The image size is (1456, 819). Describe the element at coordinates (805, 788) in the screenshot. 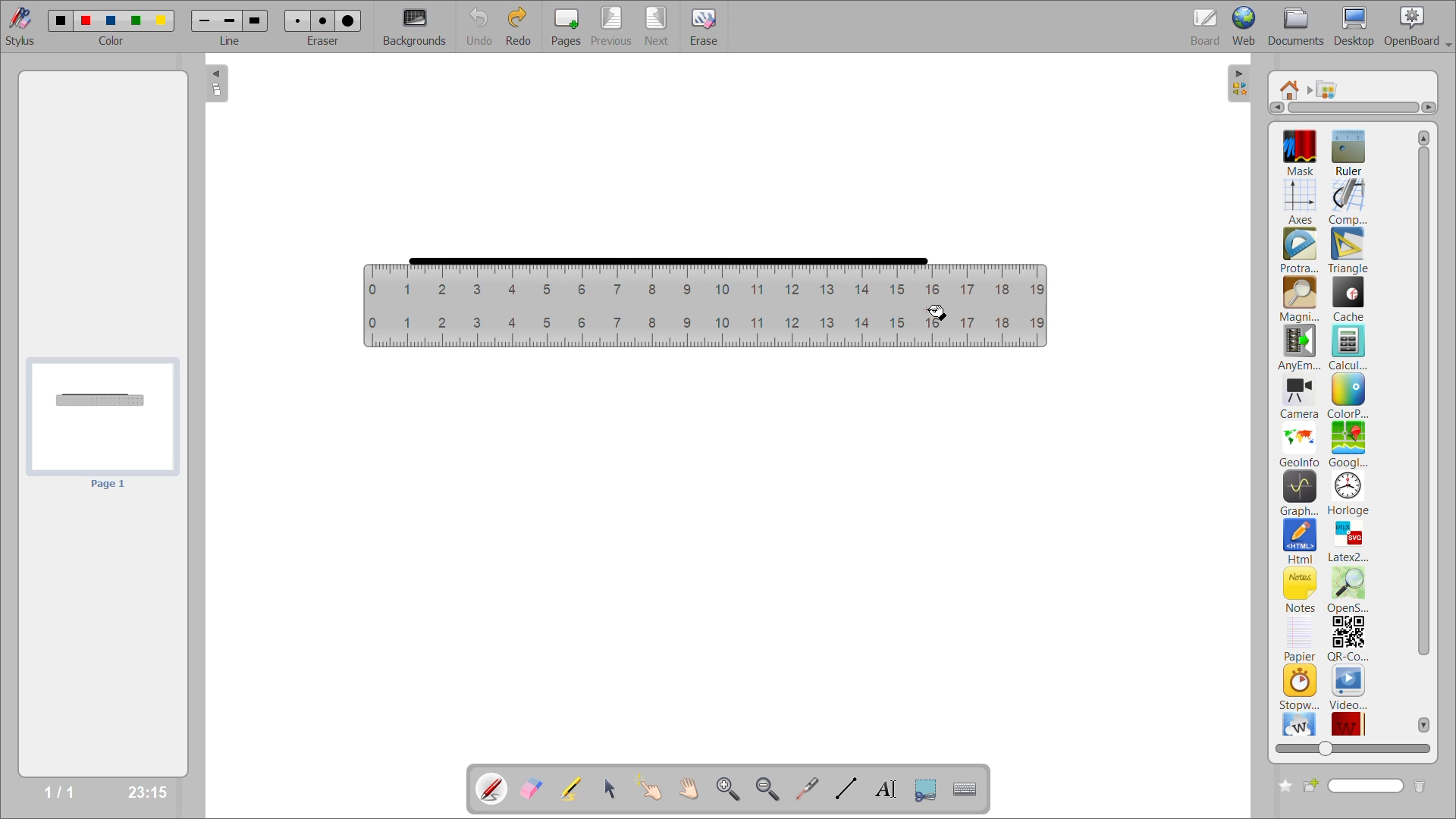

I see `virtual laser pointer` at that location.